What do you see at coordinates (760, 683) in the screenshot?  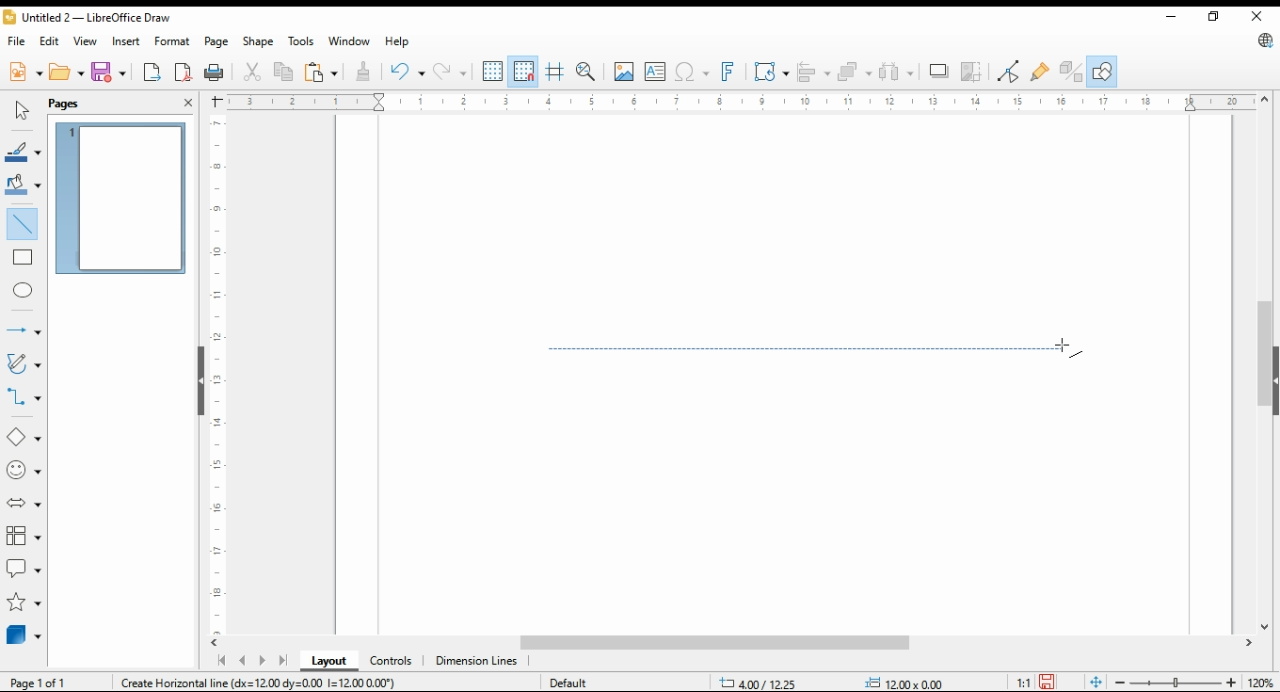 I see `-3.47/10.42` at bounding box center [760, 683].